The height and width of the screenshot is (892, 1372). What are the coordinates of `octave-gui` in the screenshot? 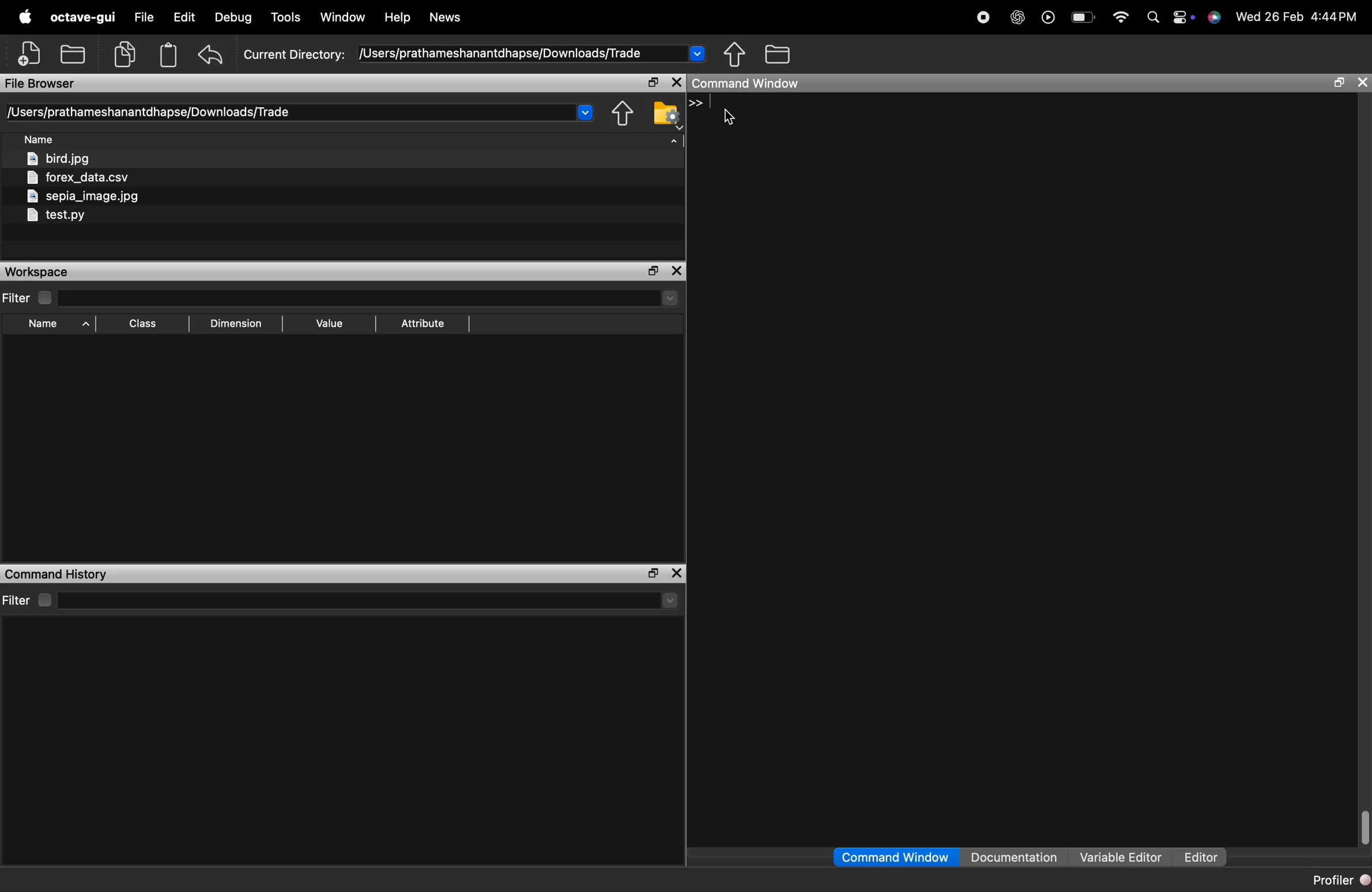 It's located at (82, 17).